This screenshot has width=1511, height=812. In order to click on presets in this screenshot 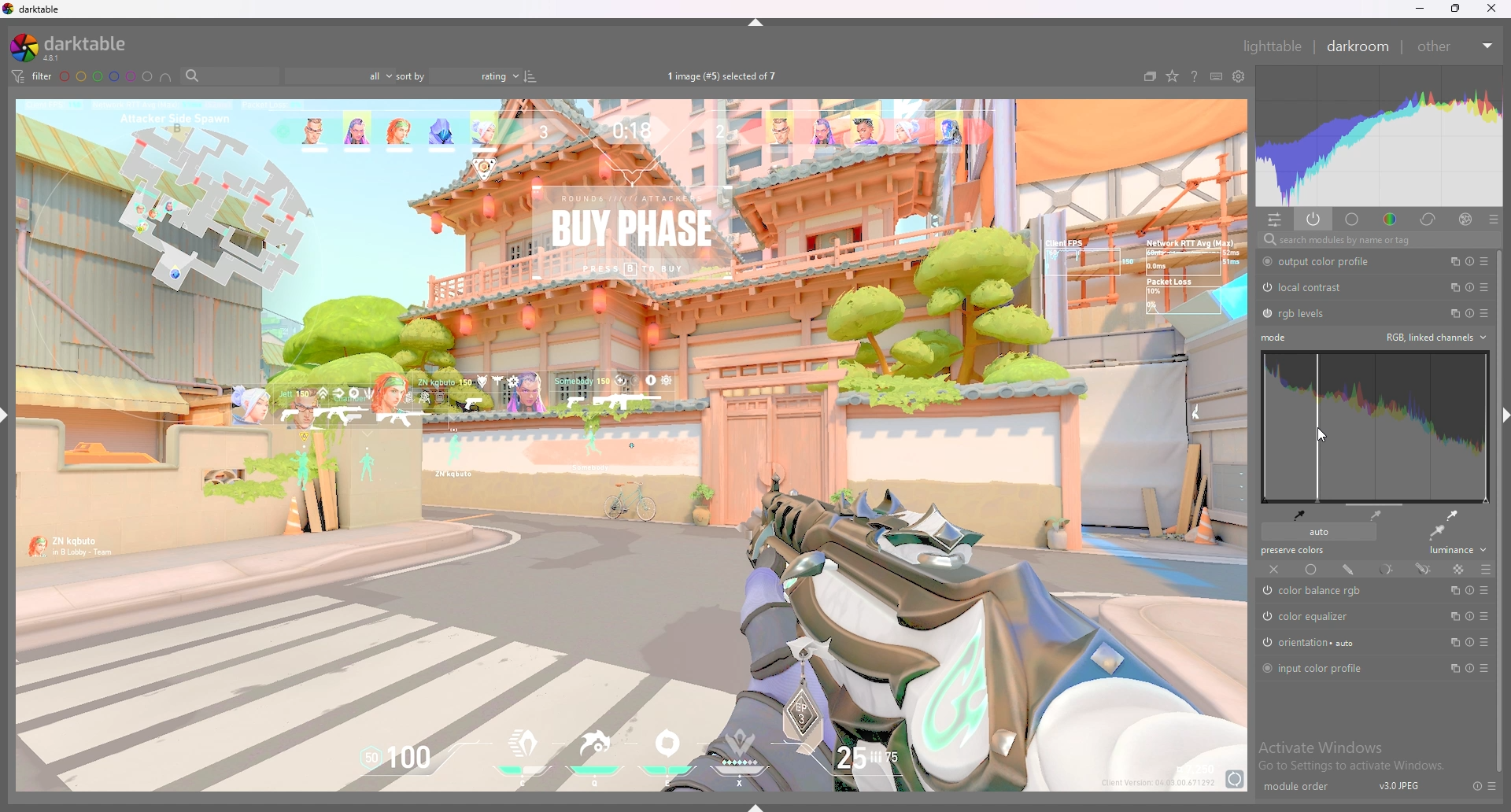, I will do `click(1493, 219)`.